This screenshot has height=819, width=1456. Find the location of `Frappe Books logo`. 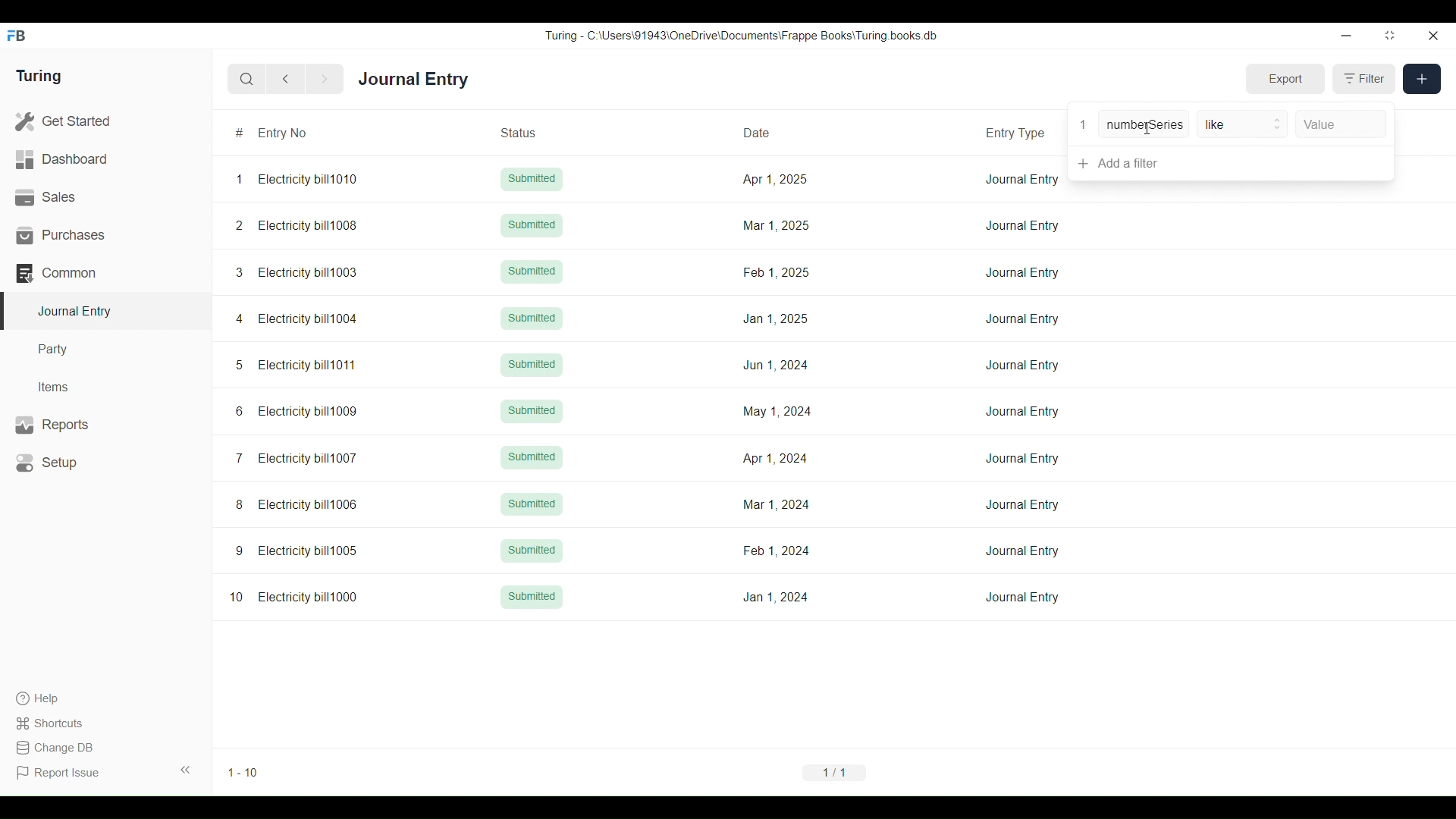

Frappe Books logo is located at coordinates (15, 36).